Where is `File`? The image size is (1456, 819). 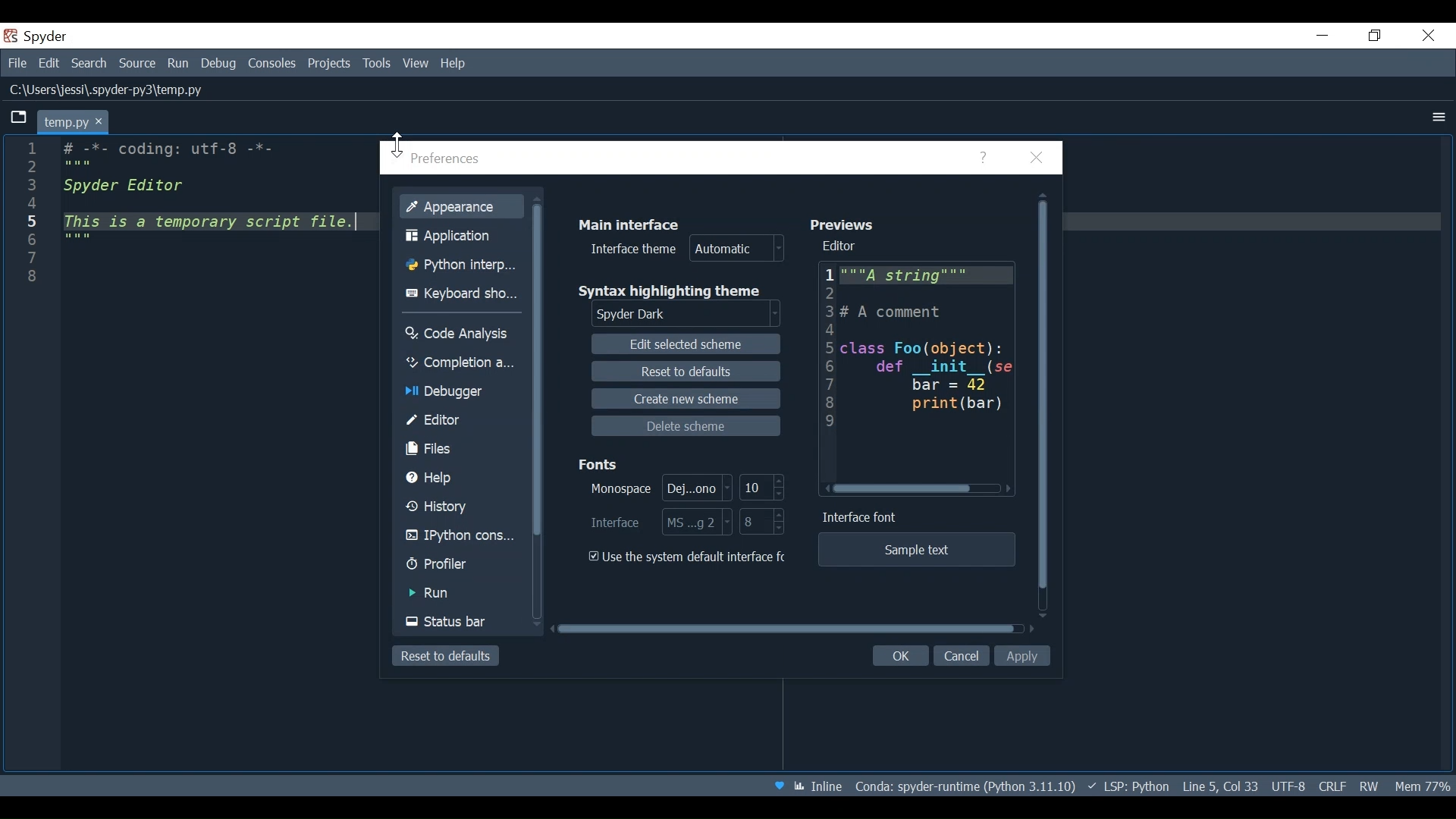 File is located at coordinates (17, 64).